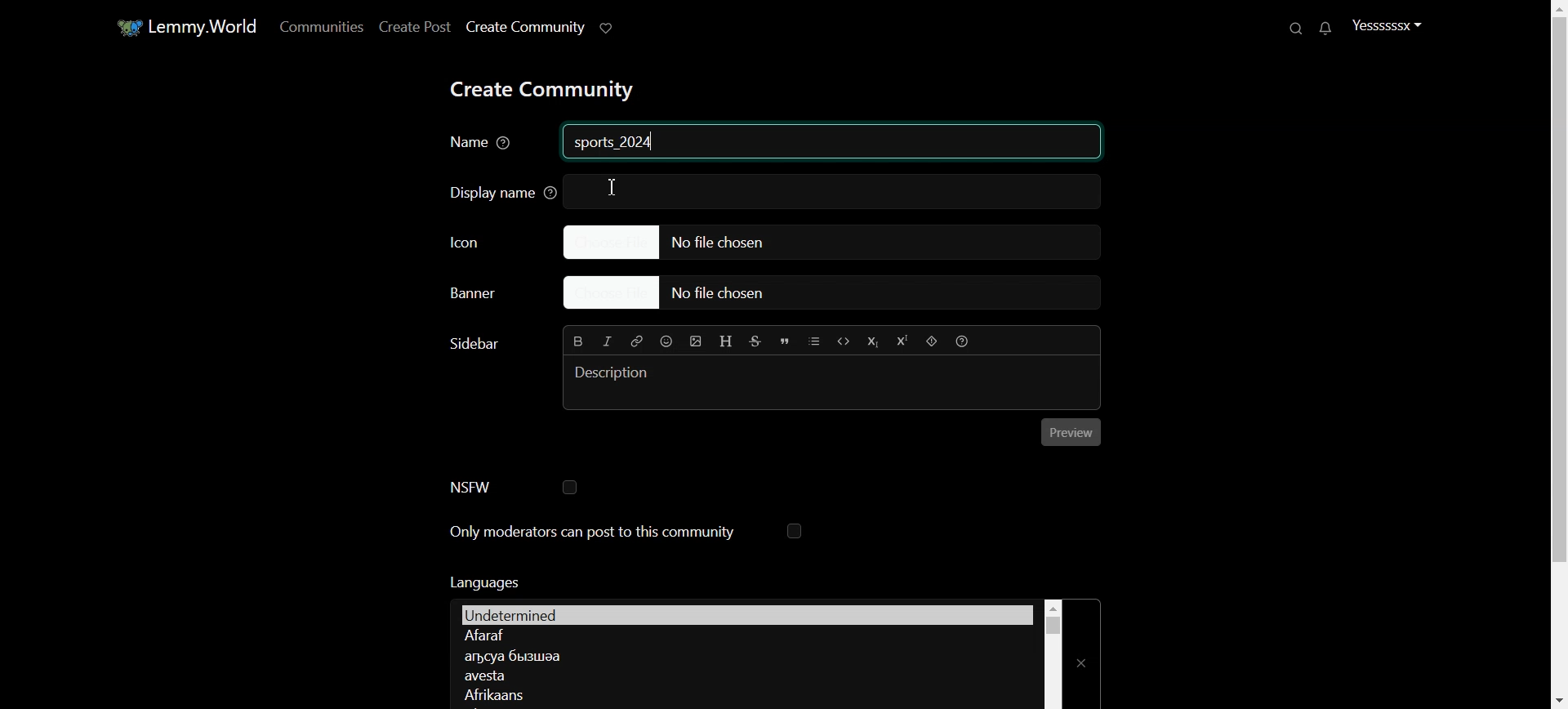  Describe the element at coordinates (1083, 653) in the screenshot. I see `Close Window` at that location.